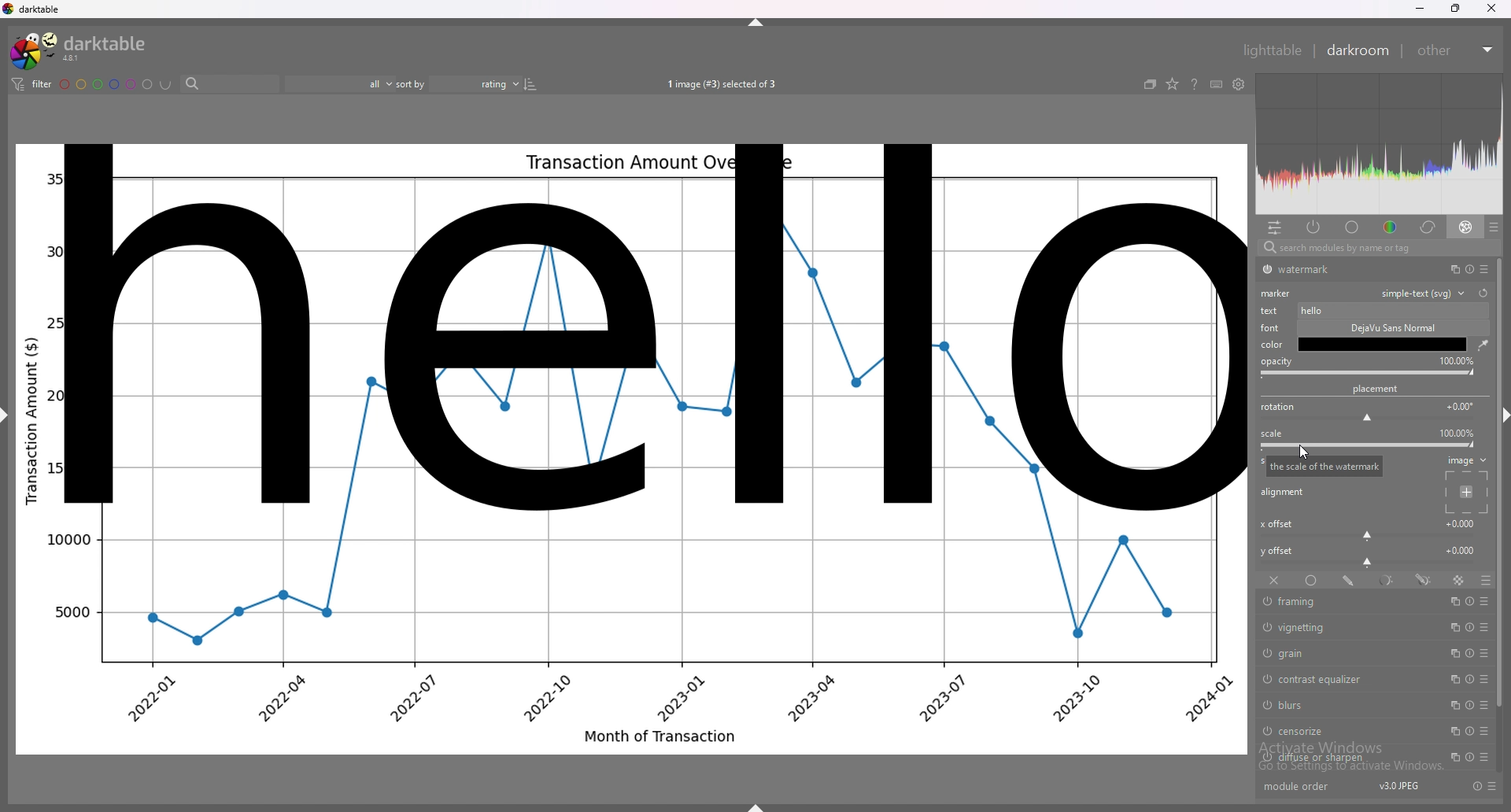  Describe the element at coordinates (1276, 362) in the screenshot. I see `opacity` at that location.